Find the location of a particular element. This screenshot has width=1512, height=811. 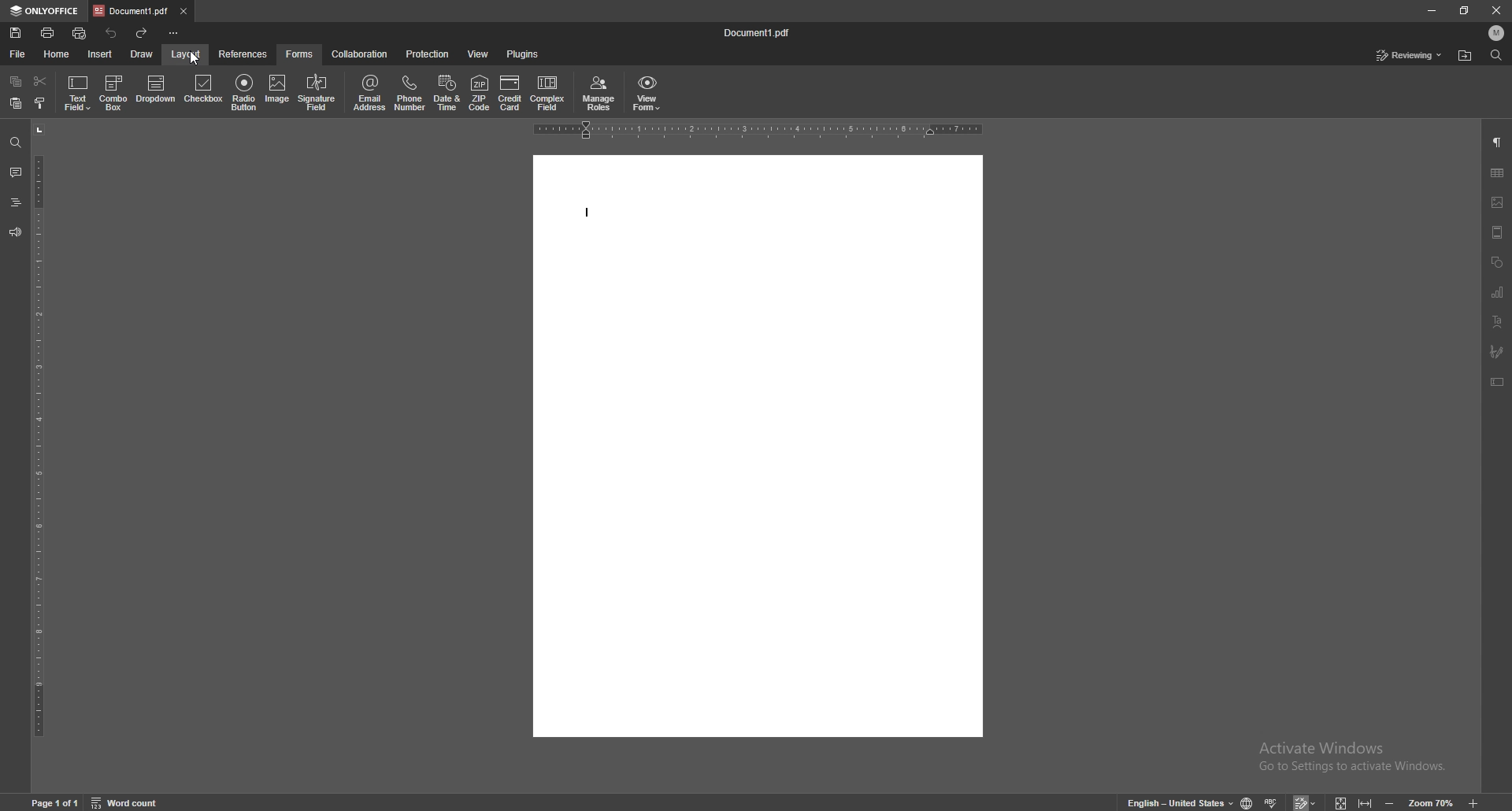

find is located at coordinates (1497, 54).